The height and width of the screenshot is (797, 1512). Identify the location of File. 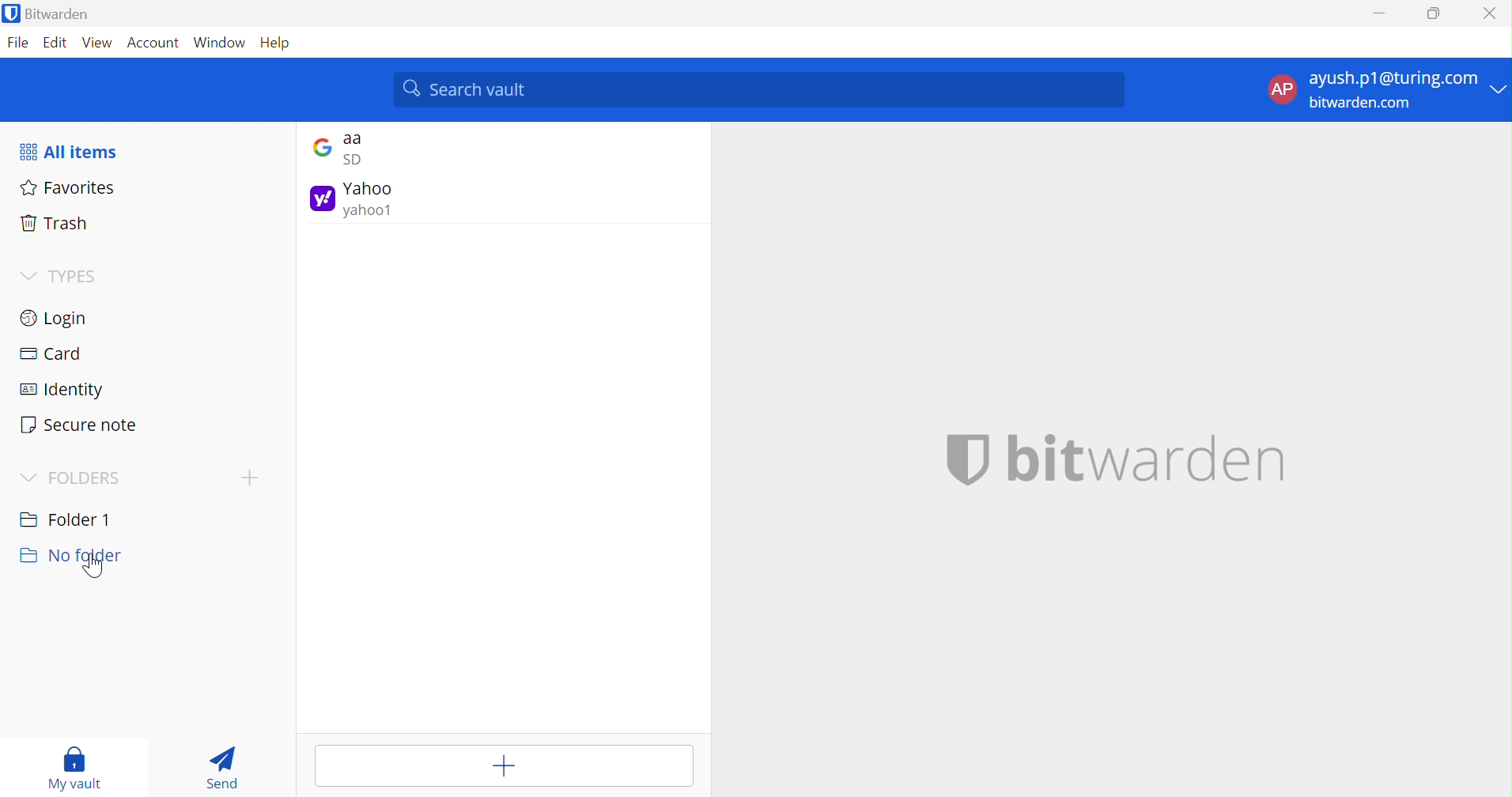
(20, 42).